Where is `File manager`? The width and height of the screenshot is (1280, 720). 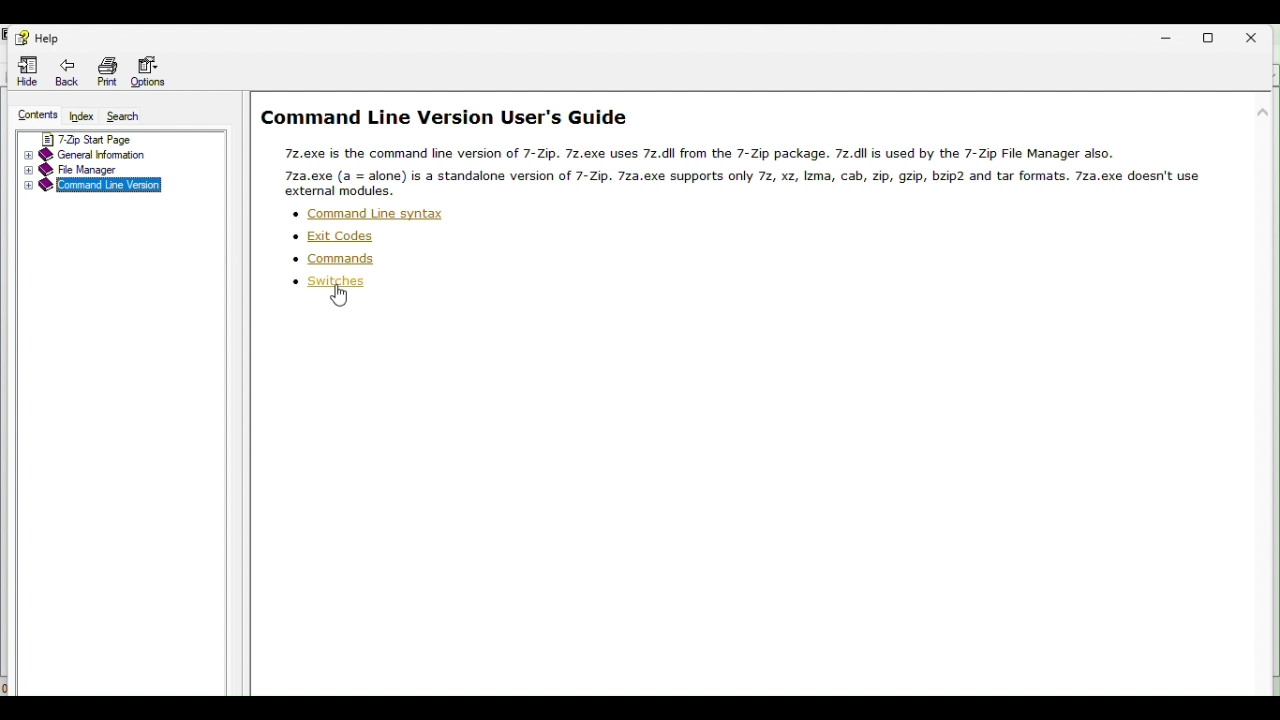
File manager is located at coordinates (124, 171).